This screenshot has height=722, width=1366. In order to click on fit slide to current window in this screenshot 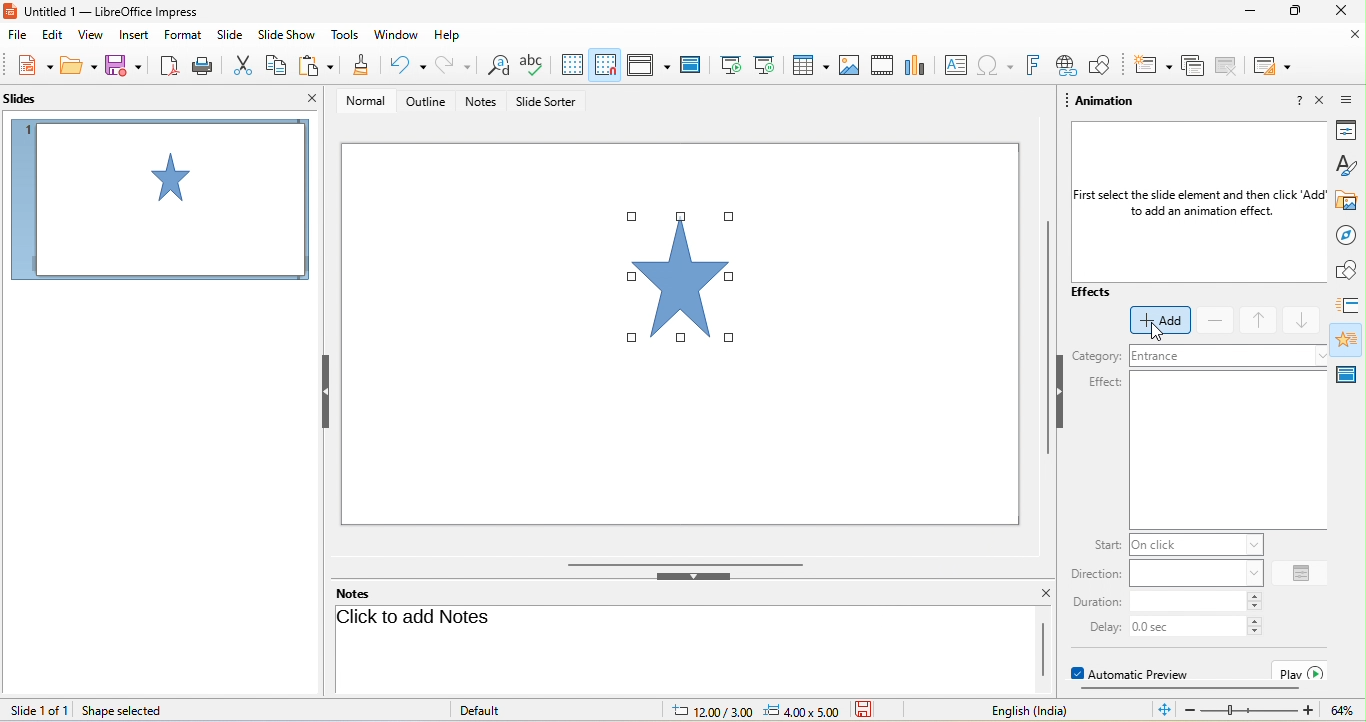, I will do `click(1164, 711)`.